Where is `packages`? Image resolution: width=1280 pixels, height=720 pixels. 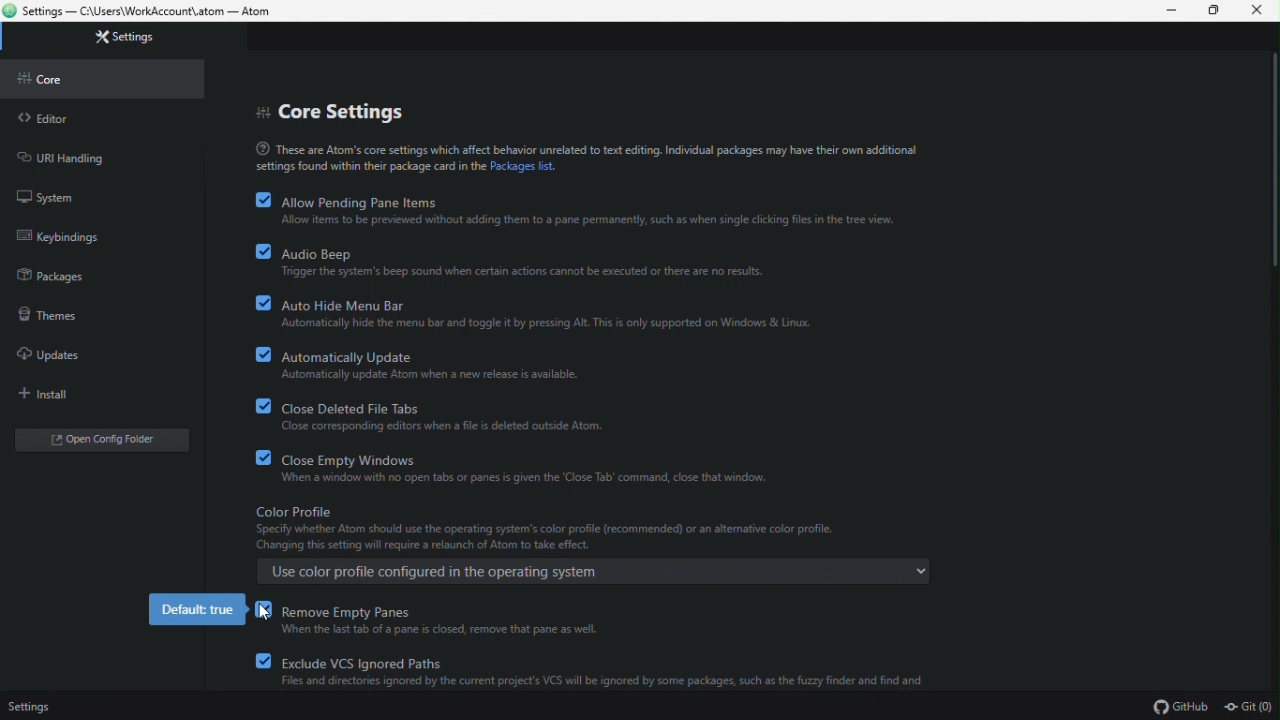 packages is located at coordinates (54, 272).